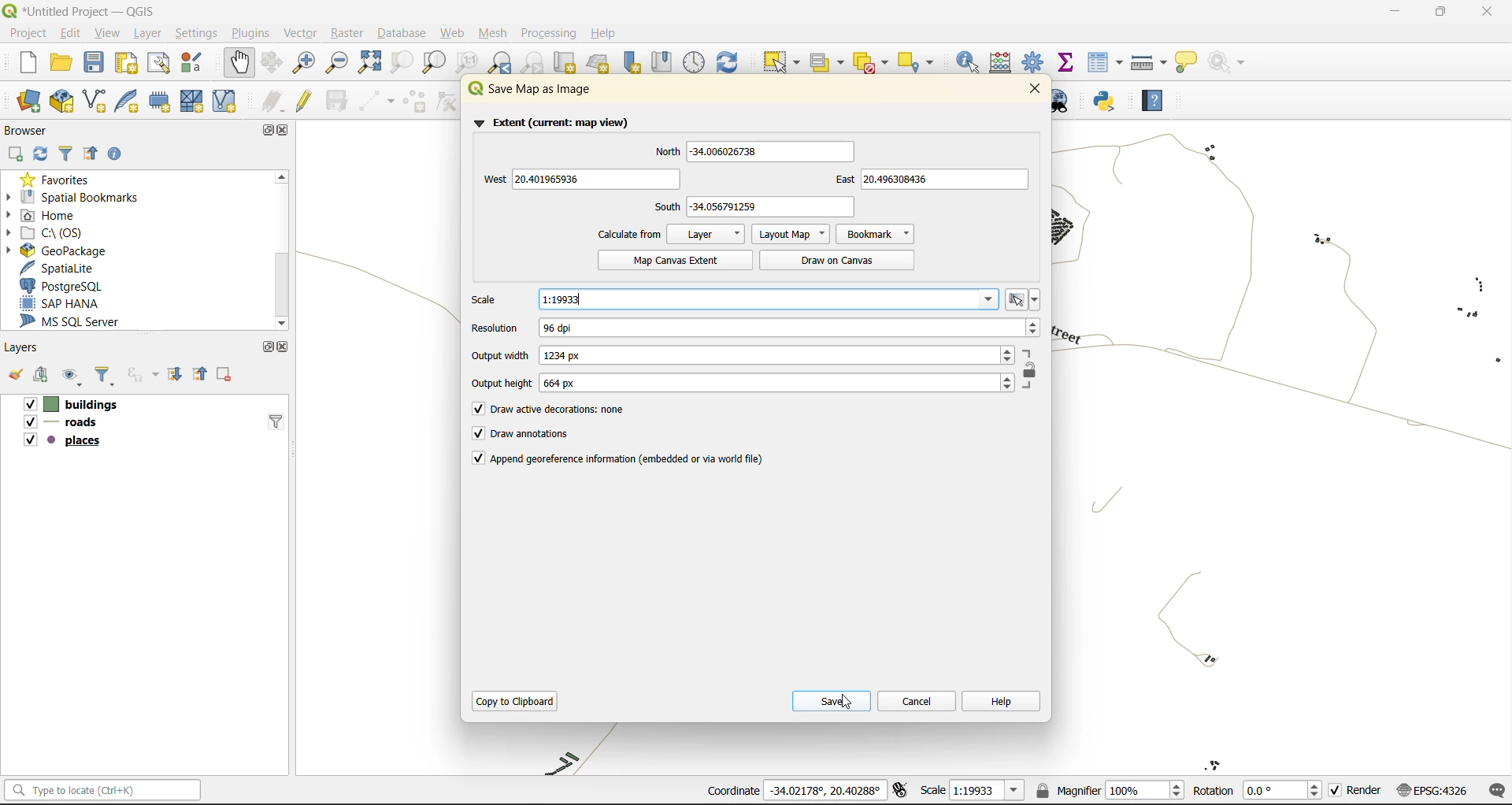 The height and width of the screenshot is (805, 1512). Describe the element at coordinates (832, 700) in the screenshot. I see `save` at that location.